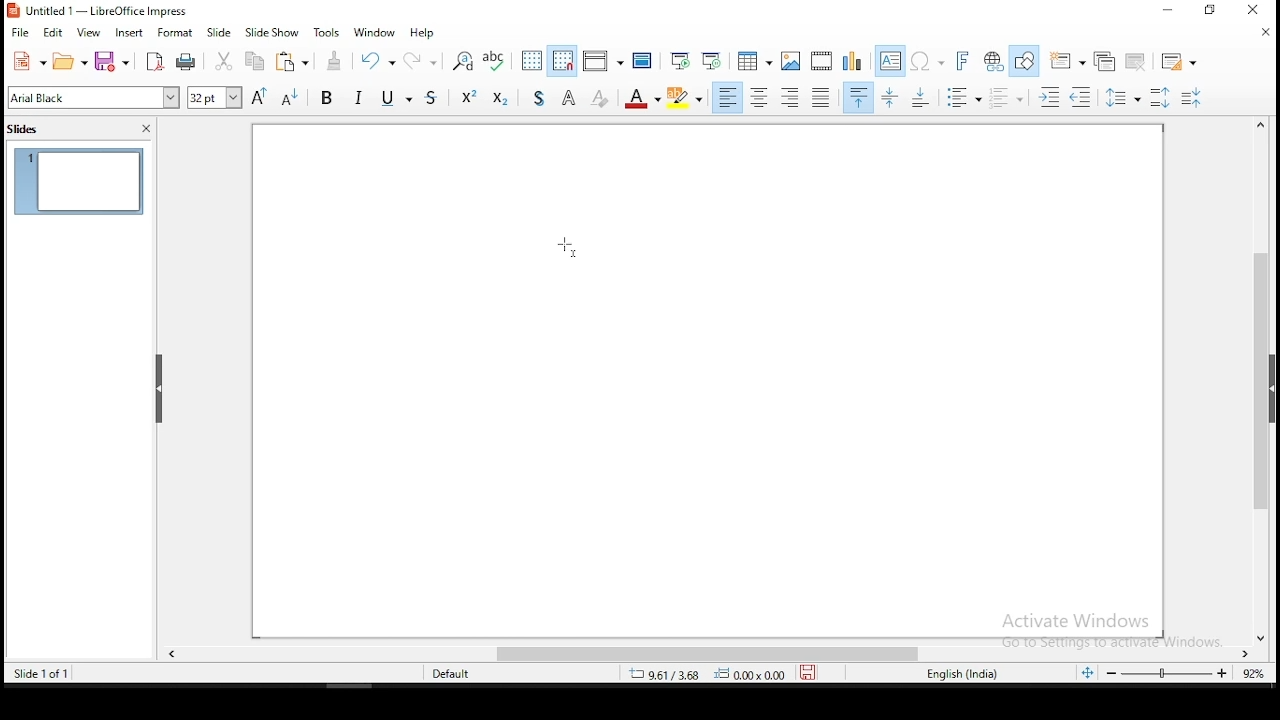 This screenshot has height=720, width=1280. What do you see at coordinates (376, 59) in the screenshot?
I see `undo` at bounding box center [376, 59].